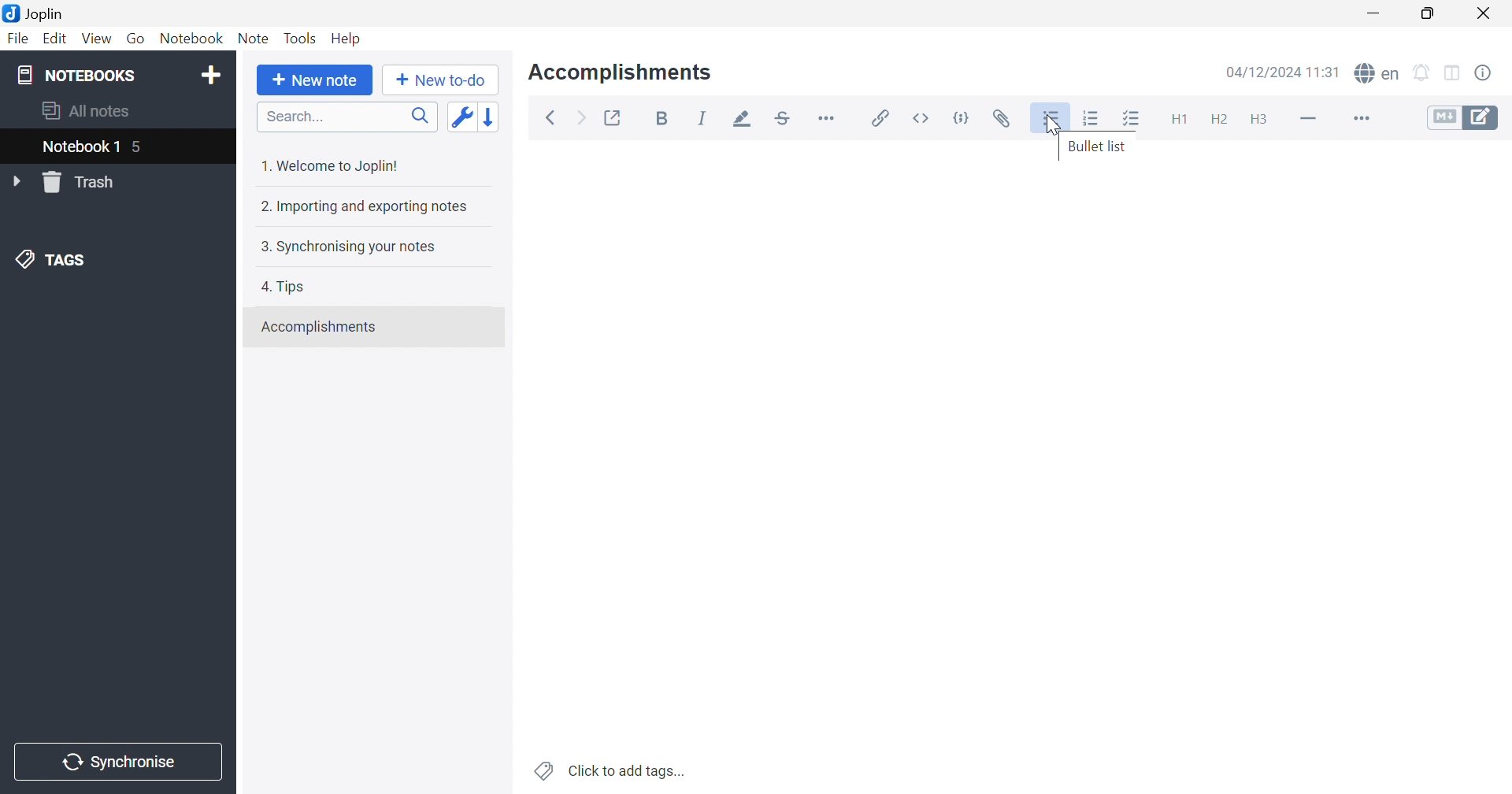  Describe the element at coordinates (1090, 118) in the screenshot. I see `Numbered list` at that location.